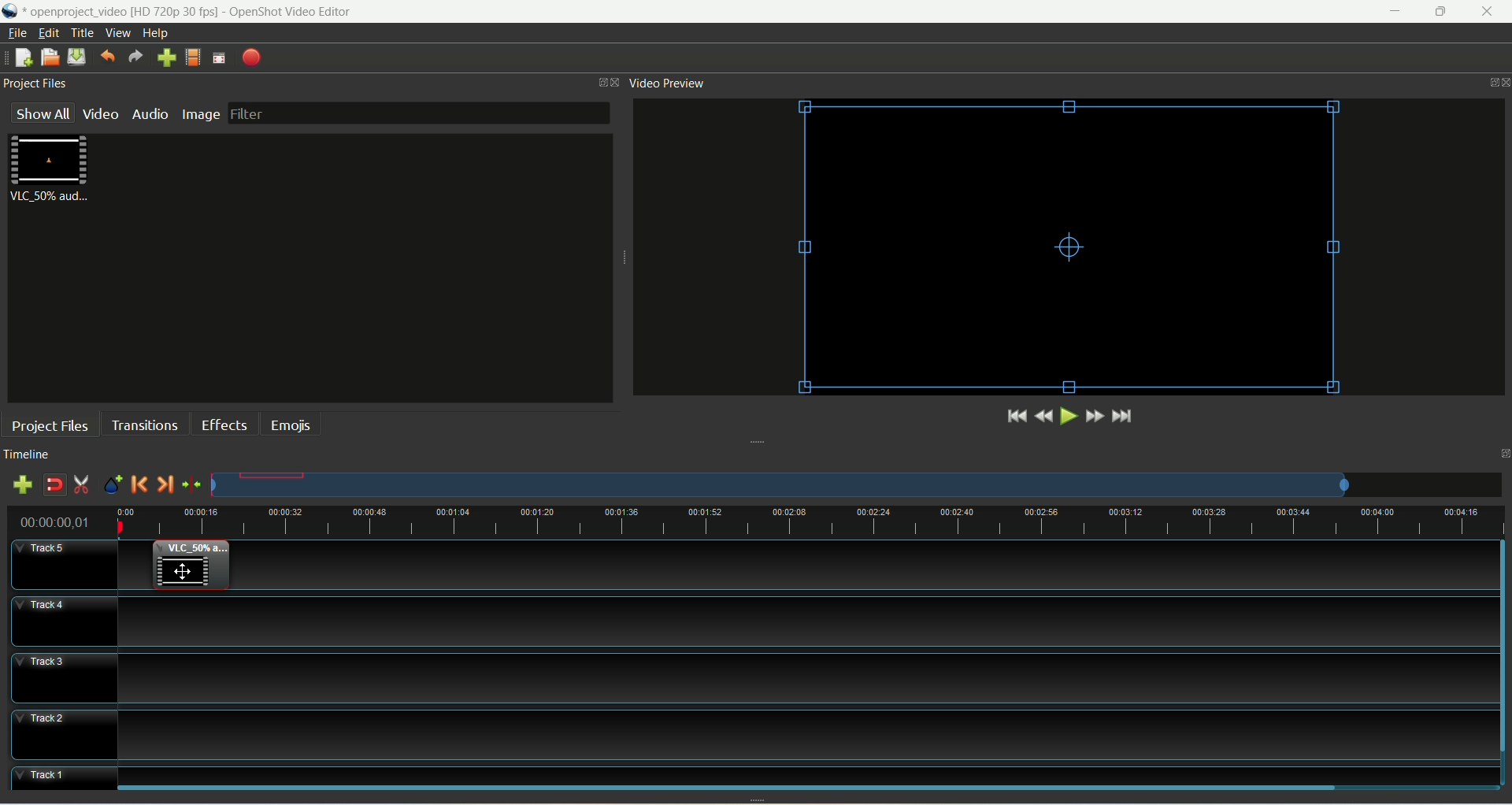  I want to click on track2, so click(64, 735).